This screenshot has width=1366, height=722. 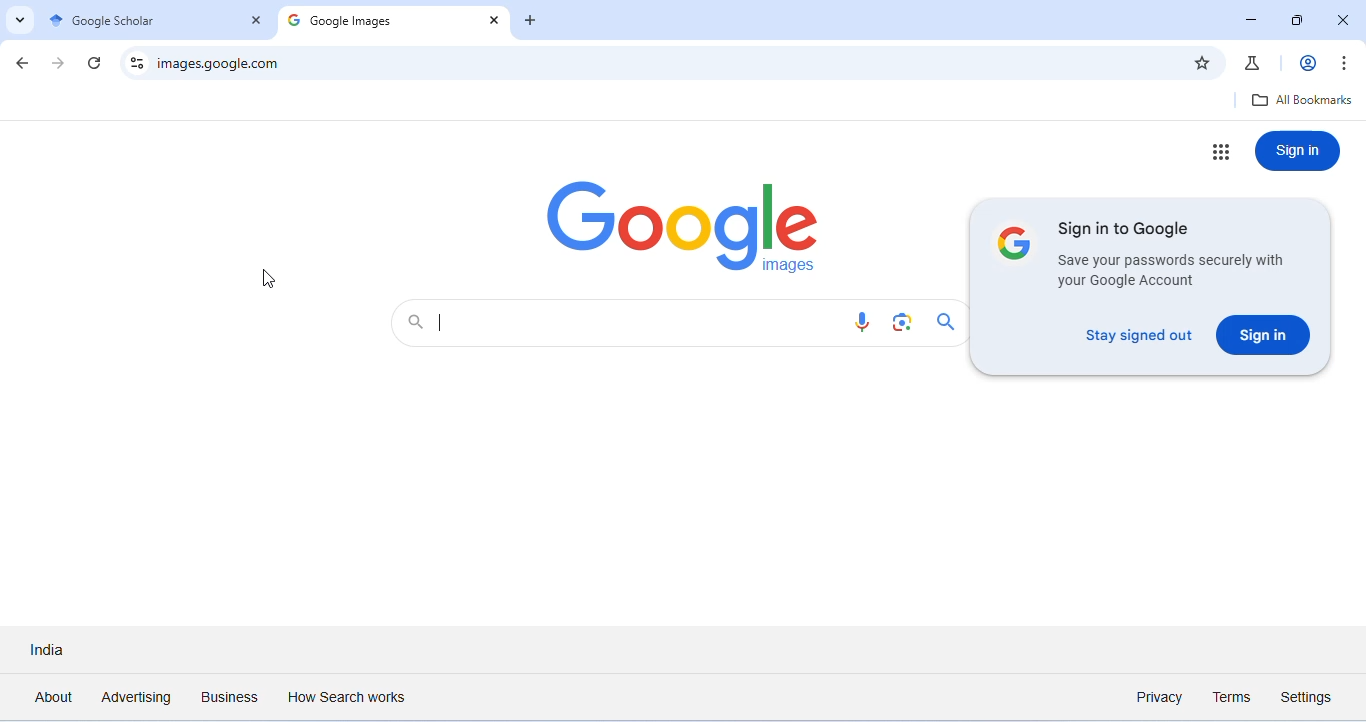 What do you see at coordinates (1343, 60) in the screenshot?
I see `customize and control chromium` at bounding box center [1343, 60].